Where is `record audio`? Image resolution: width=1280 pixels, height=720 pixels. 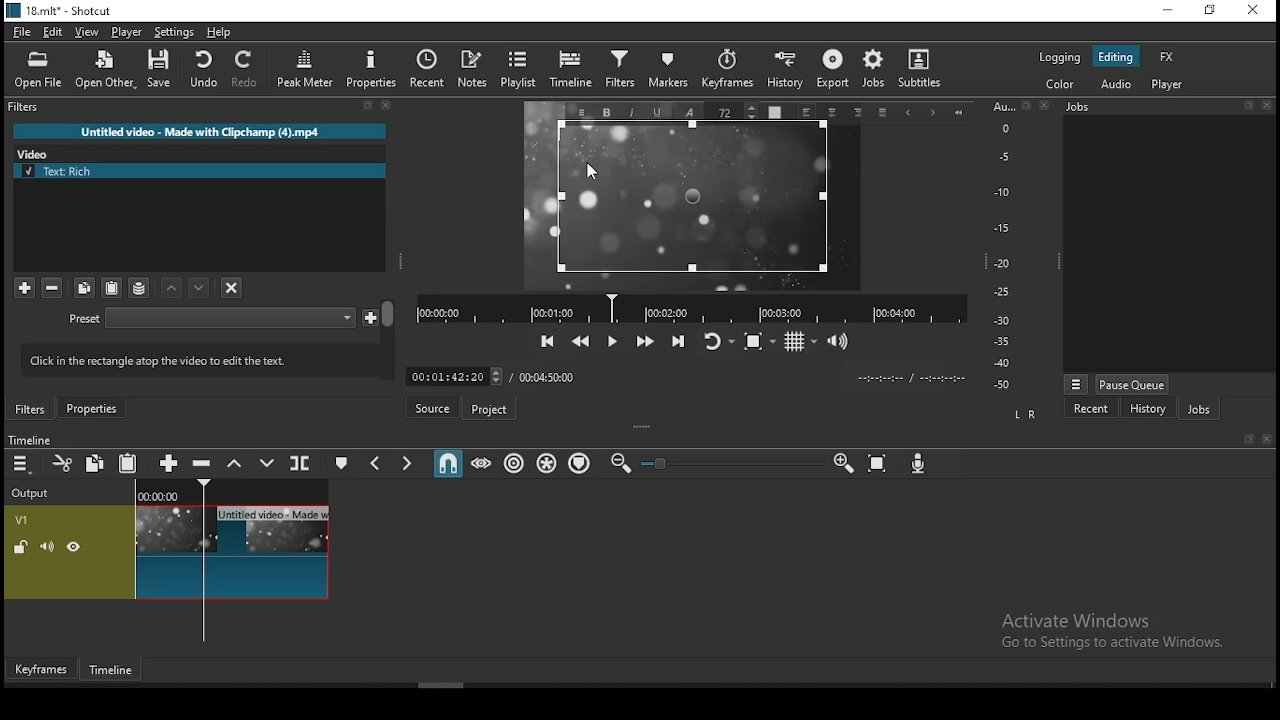
record audio is located at coordinates (919, 464).